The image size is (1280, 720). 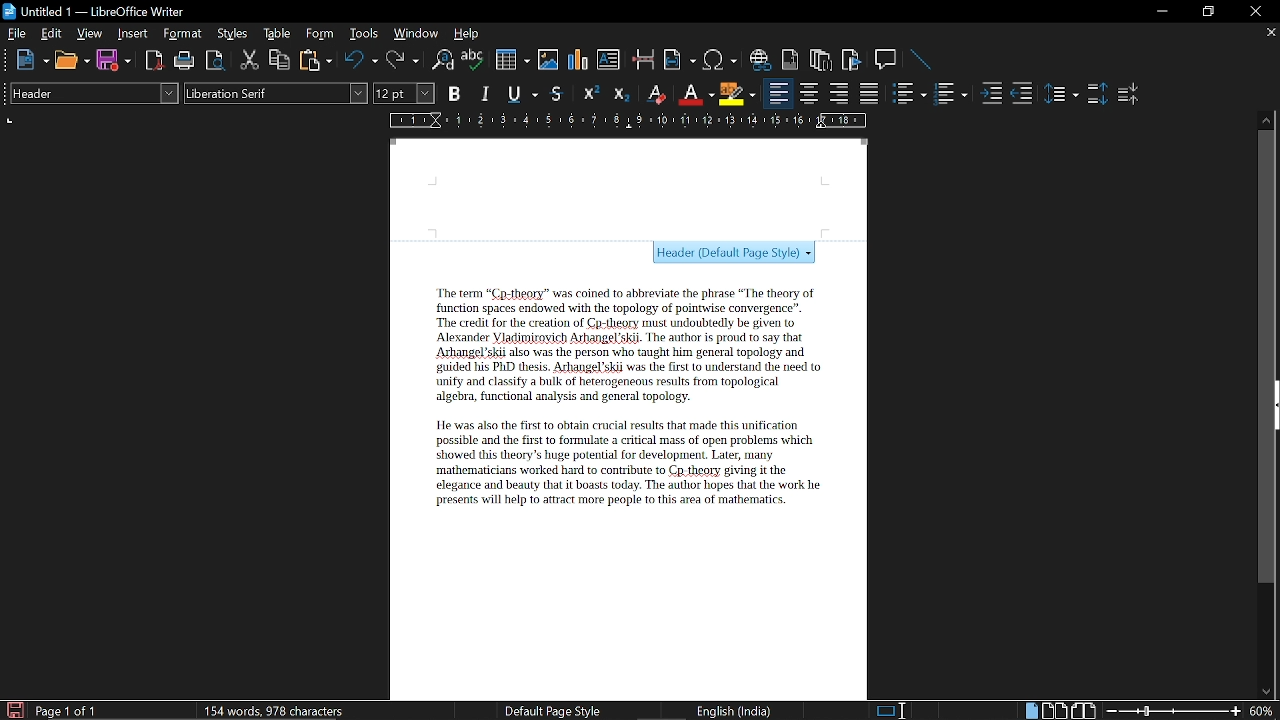 I want to click on toggle ordered list, so click(x=909, y=94).